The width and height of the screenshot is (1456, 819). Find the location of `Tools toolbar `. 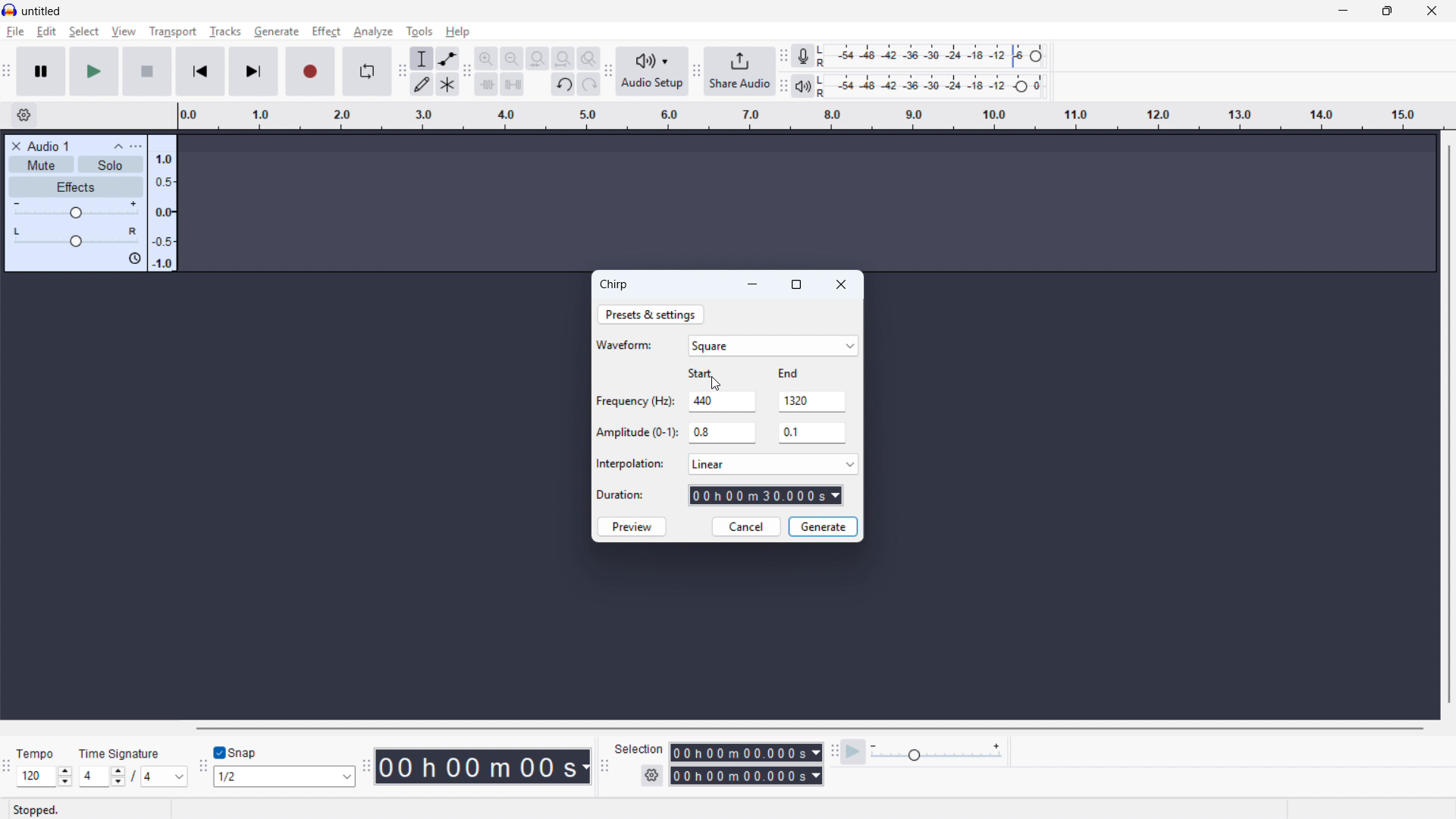

Tools toolbar  is located at coordinates (401, 72).